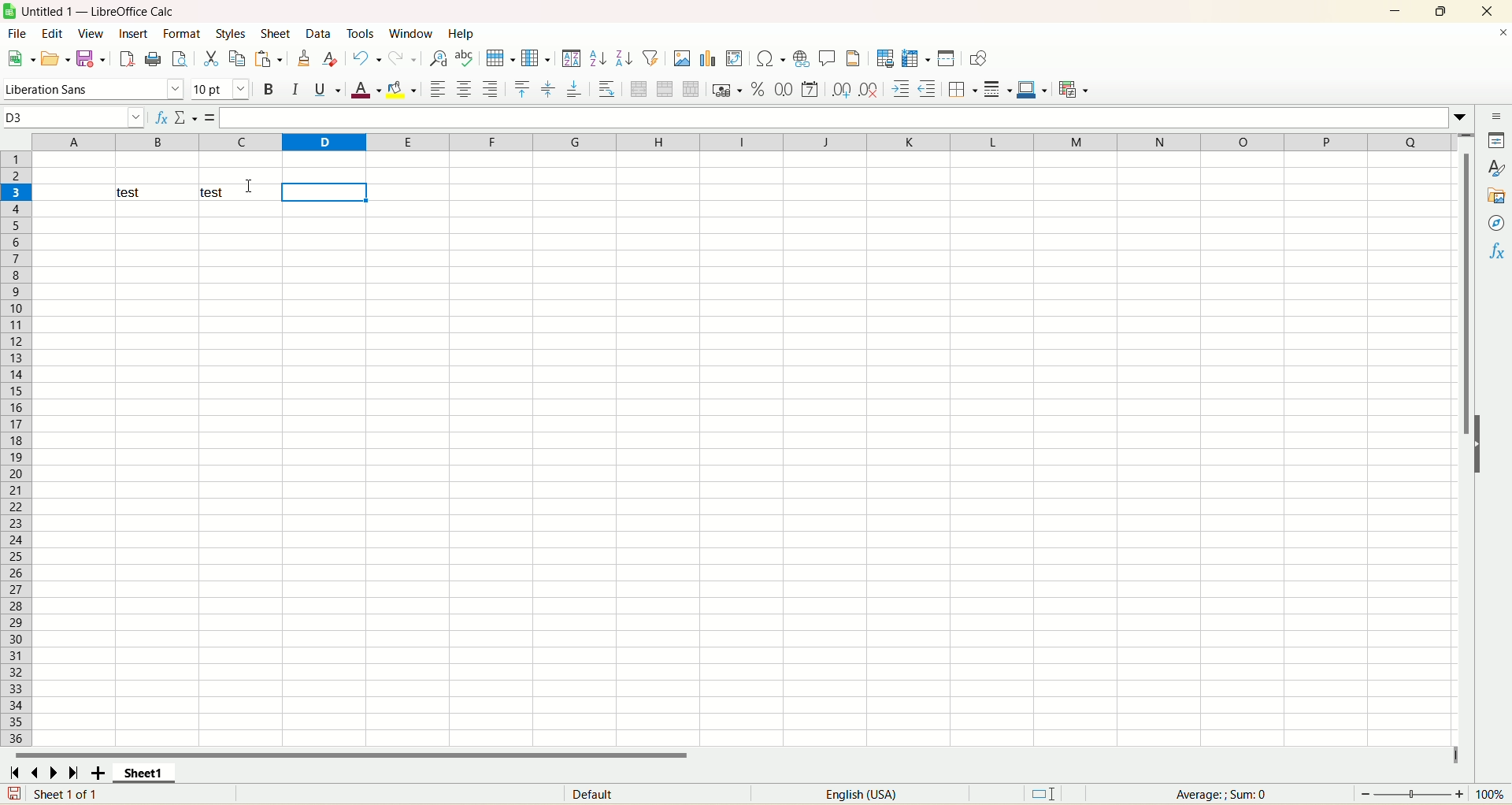  What do you see at coordinates (186, 118) in the screenshot?
I see `select function` at bounding box center [186, 118].